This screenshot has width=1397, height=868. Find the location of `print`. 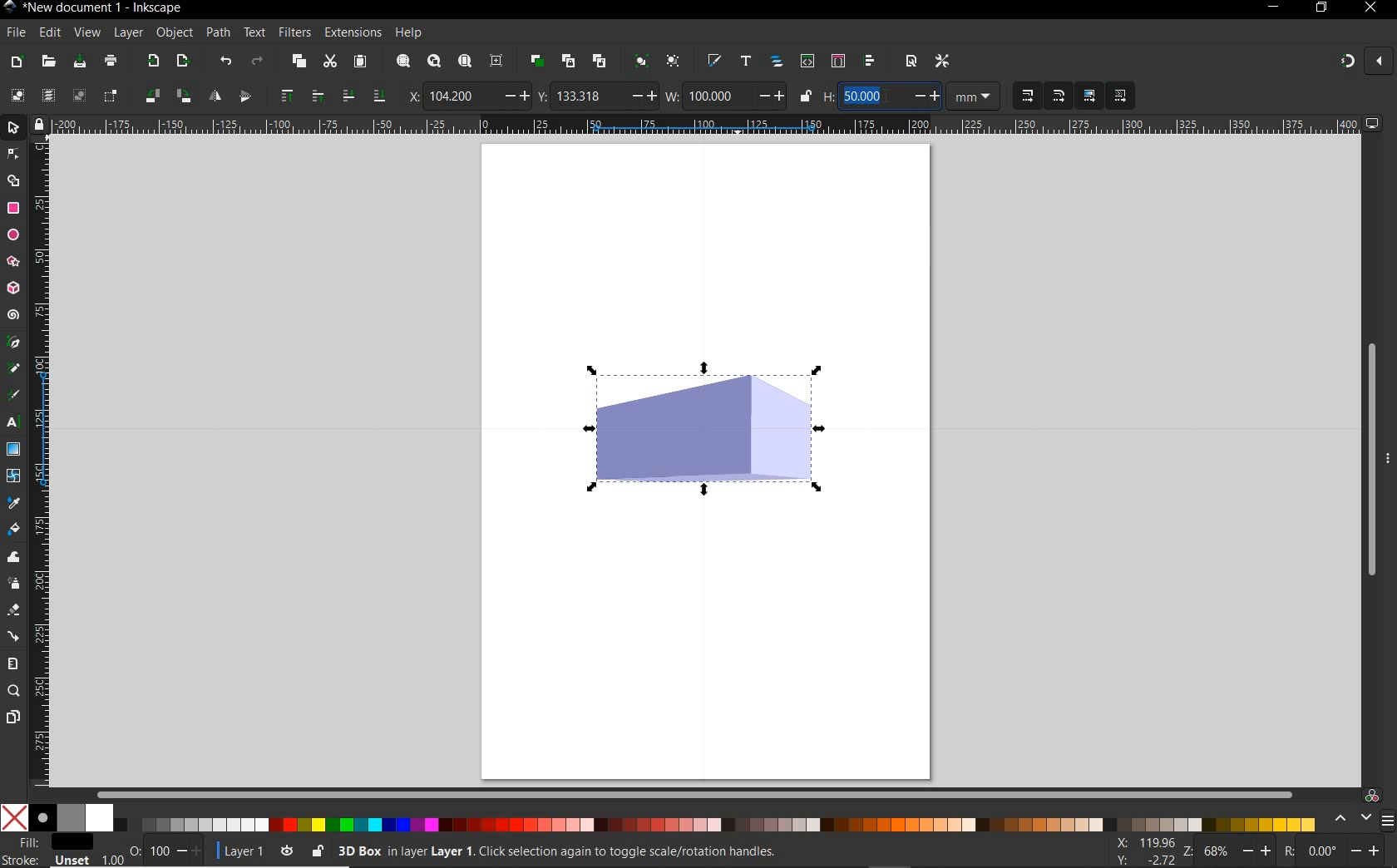

print is located at coordinates (111, 62).